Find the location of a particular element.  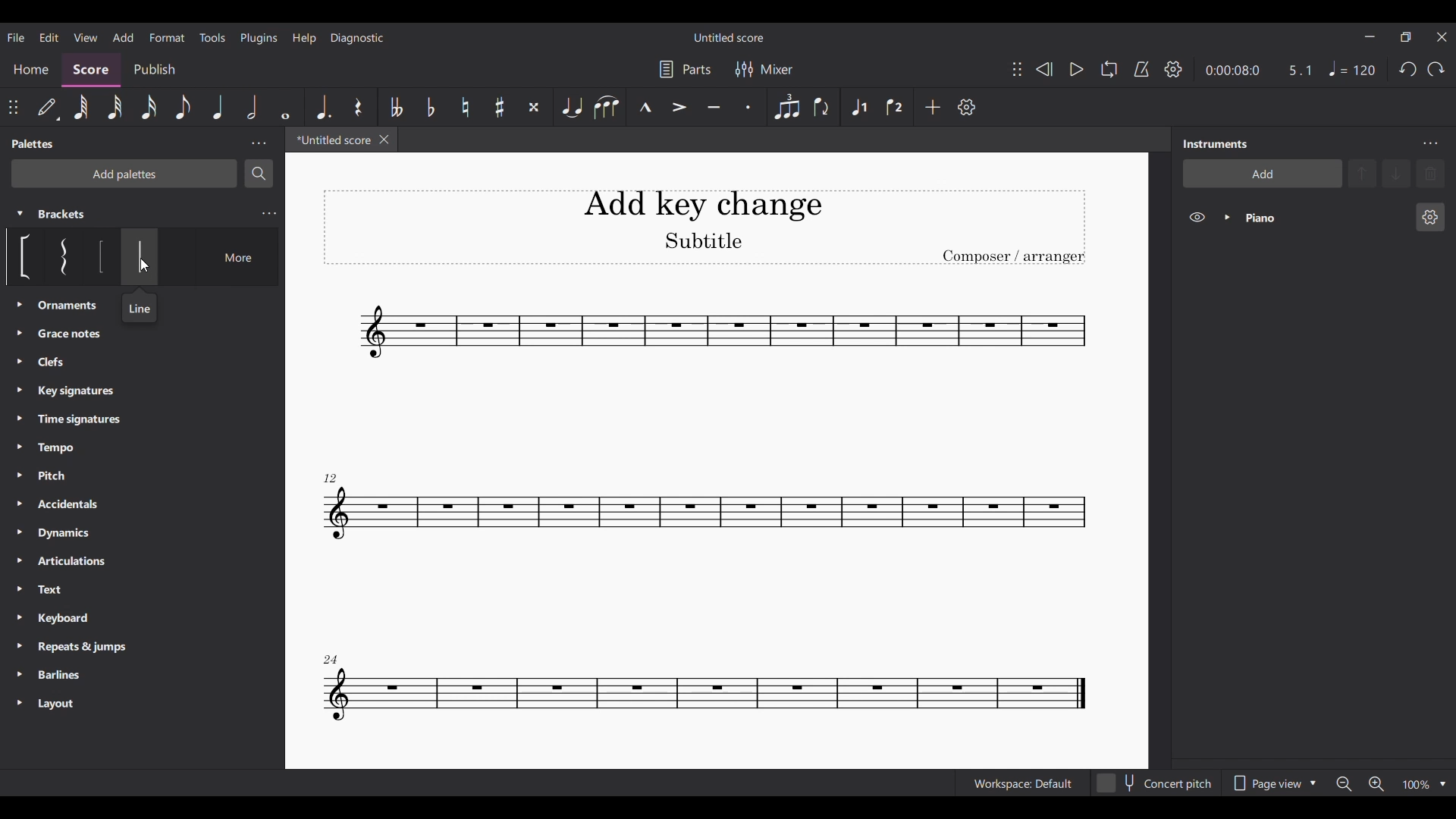

8th note is located at coordinates (184, 107).